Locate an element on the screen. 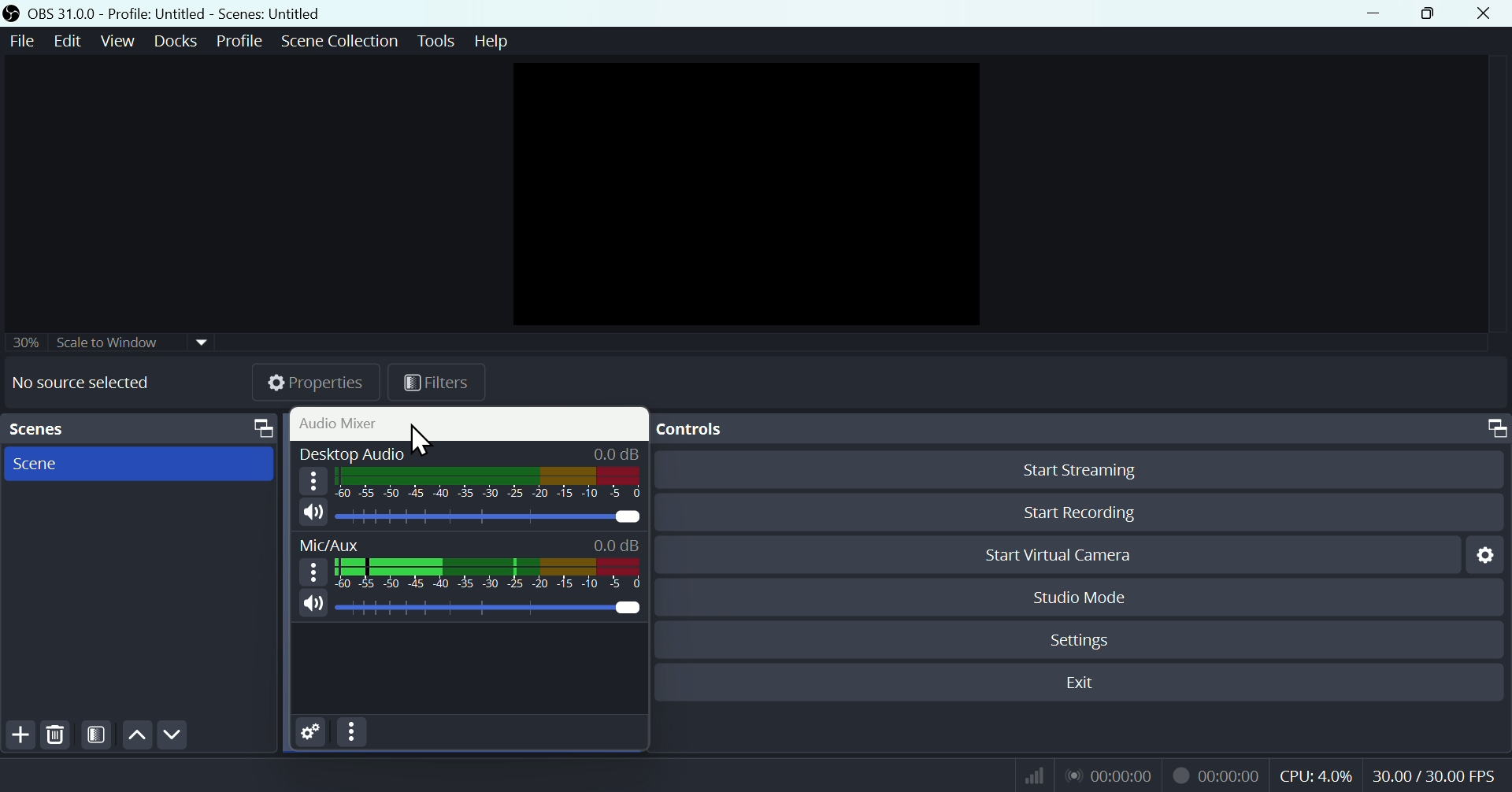 This screenshot has width=1512, height=792. Down is located at coordinates (172, 735).